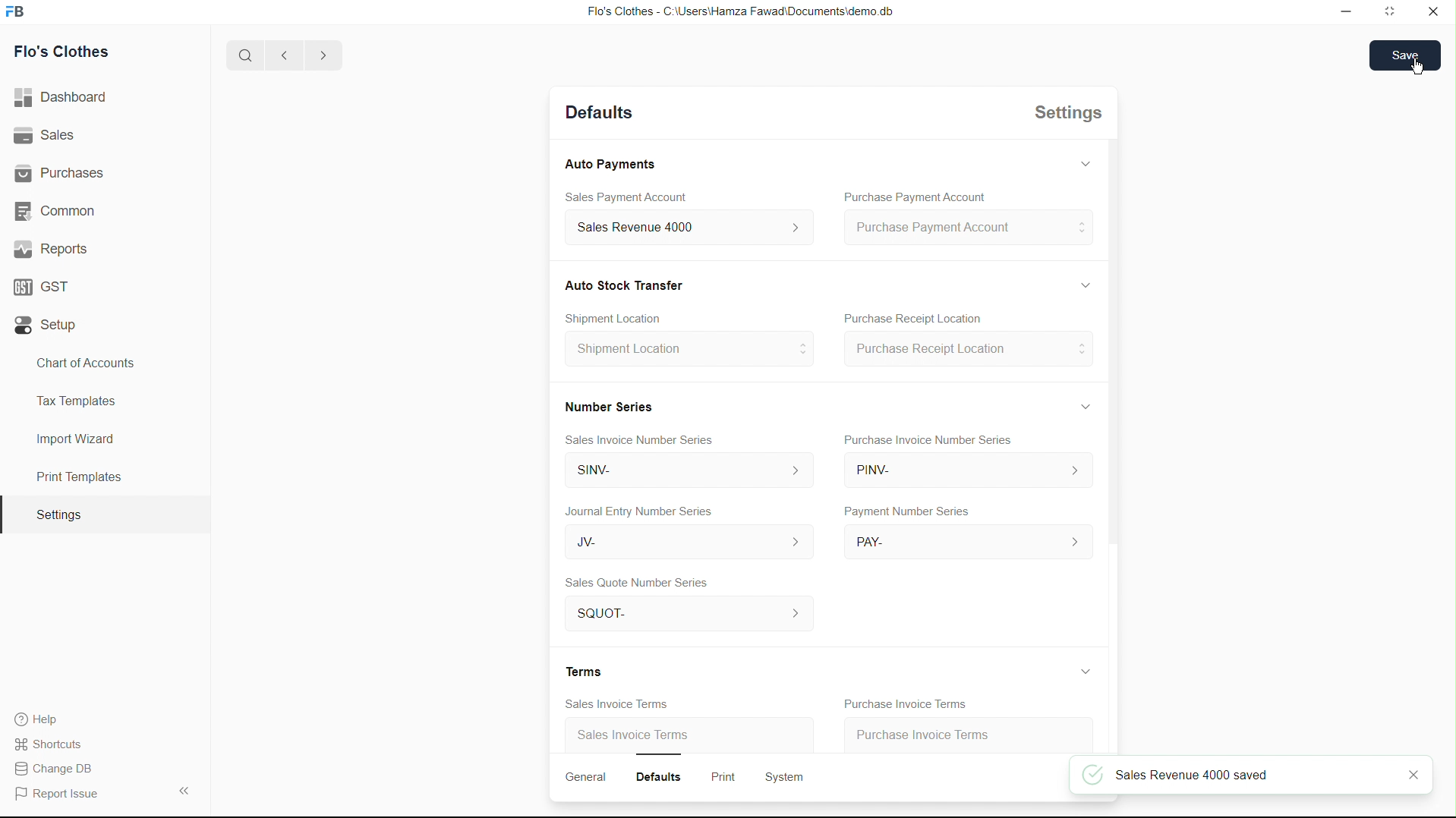 The image size is (1456, 818). I want to click on Purchase Invoice Number Series, so click(935, 439).